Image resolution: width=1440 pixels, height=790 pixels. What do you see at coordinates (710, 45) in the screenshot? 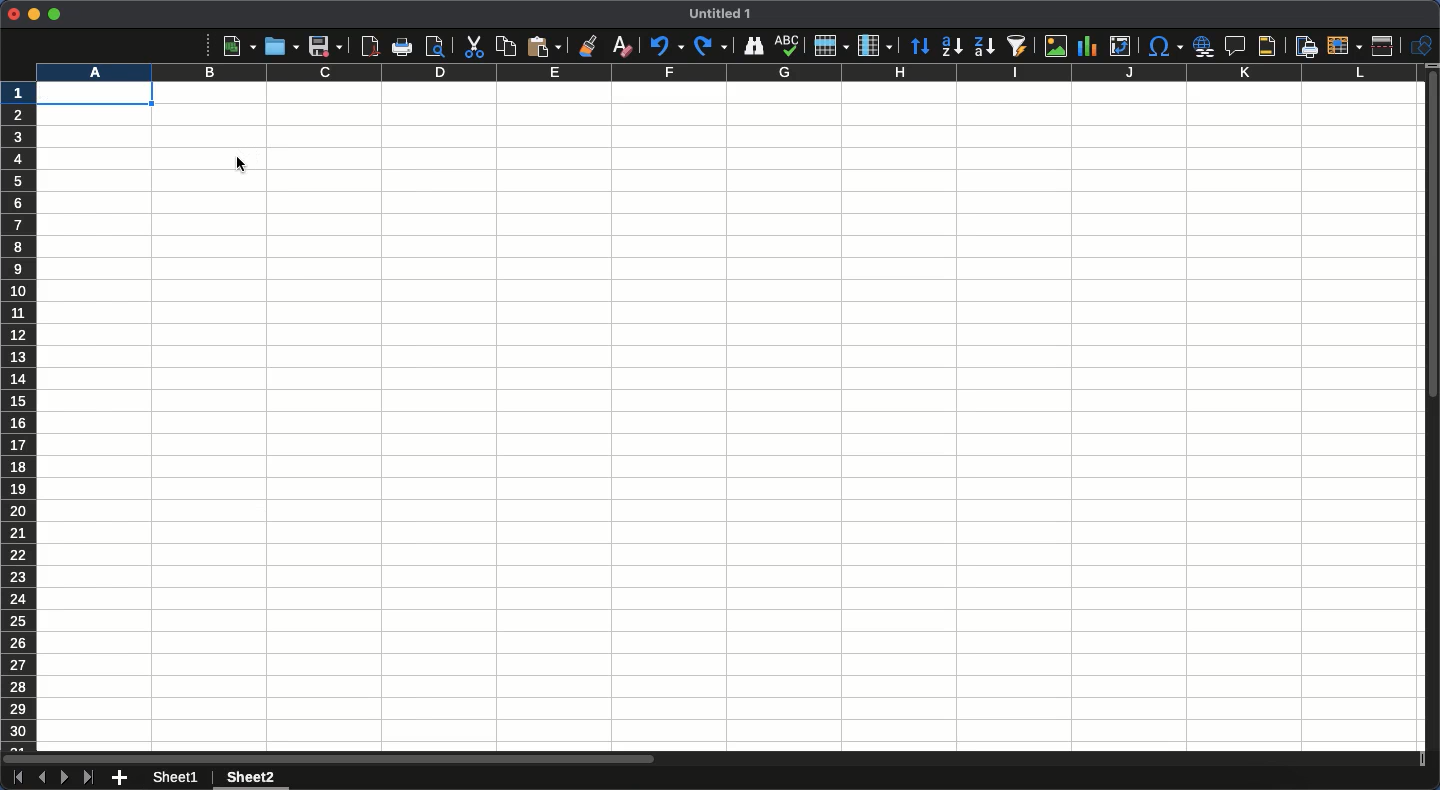
I see `Redo` at bounding box center [710, 45].